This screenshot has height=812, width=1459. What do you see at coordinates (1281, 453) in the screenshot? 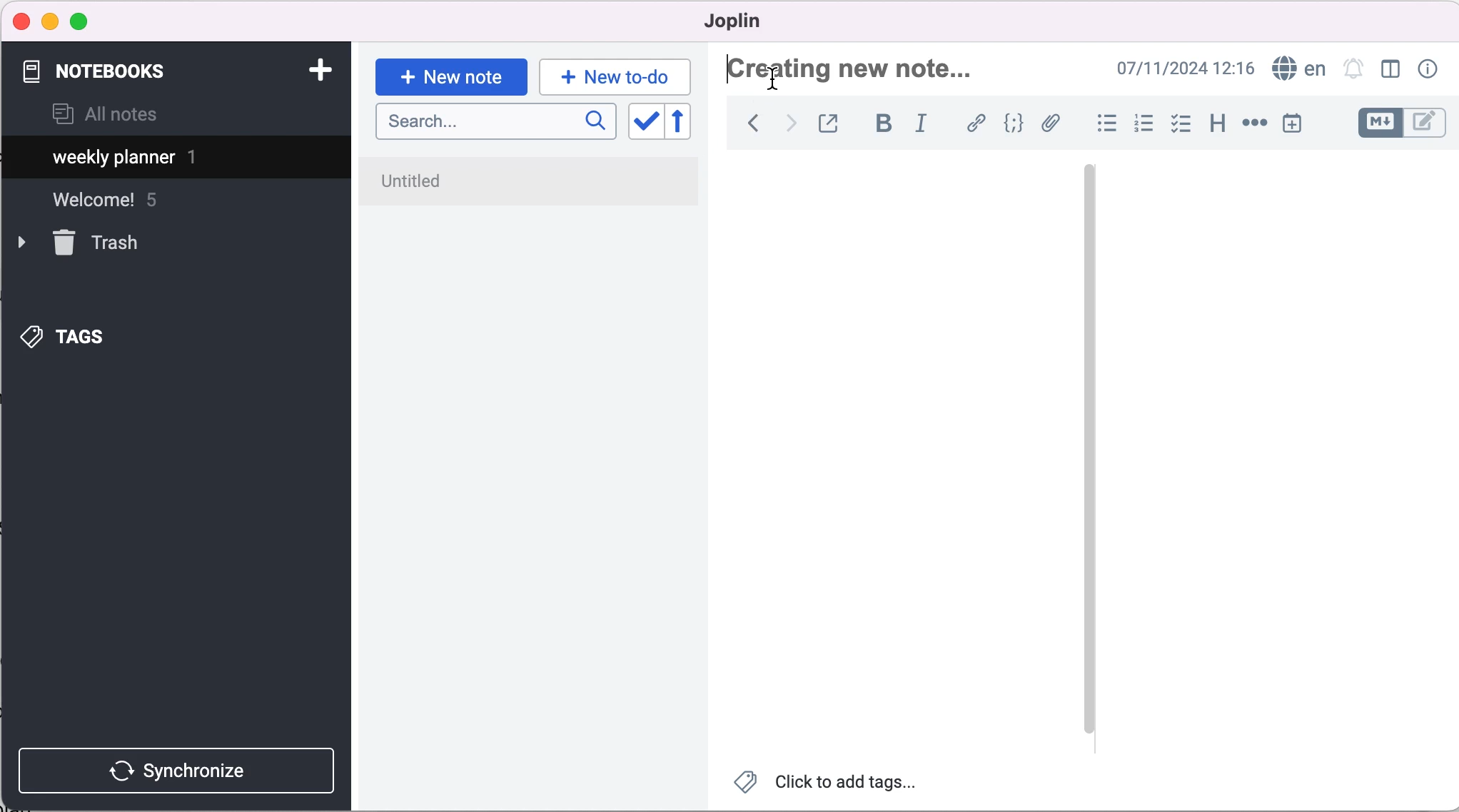
I see `blank canvas` at bounding box center [1281, 453].